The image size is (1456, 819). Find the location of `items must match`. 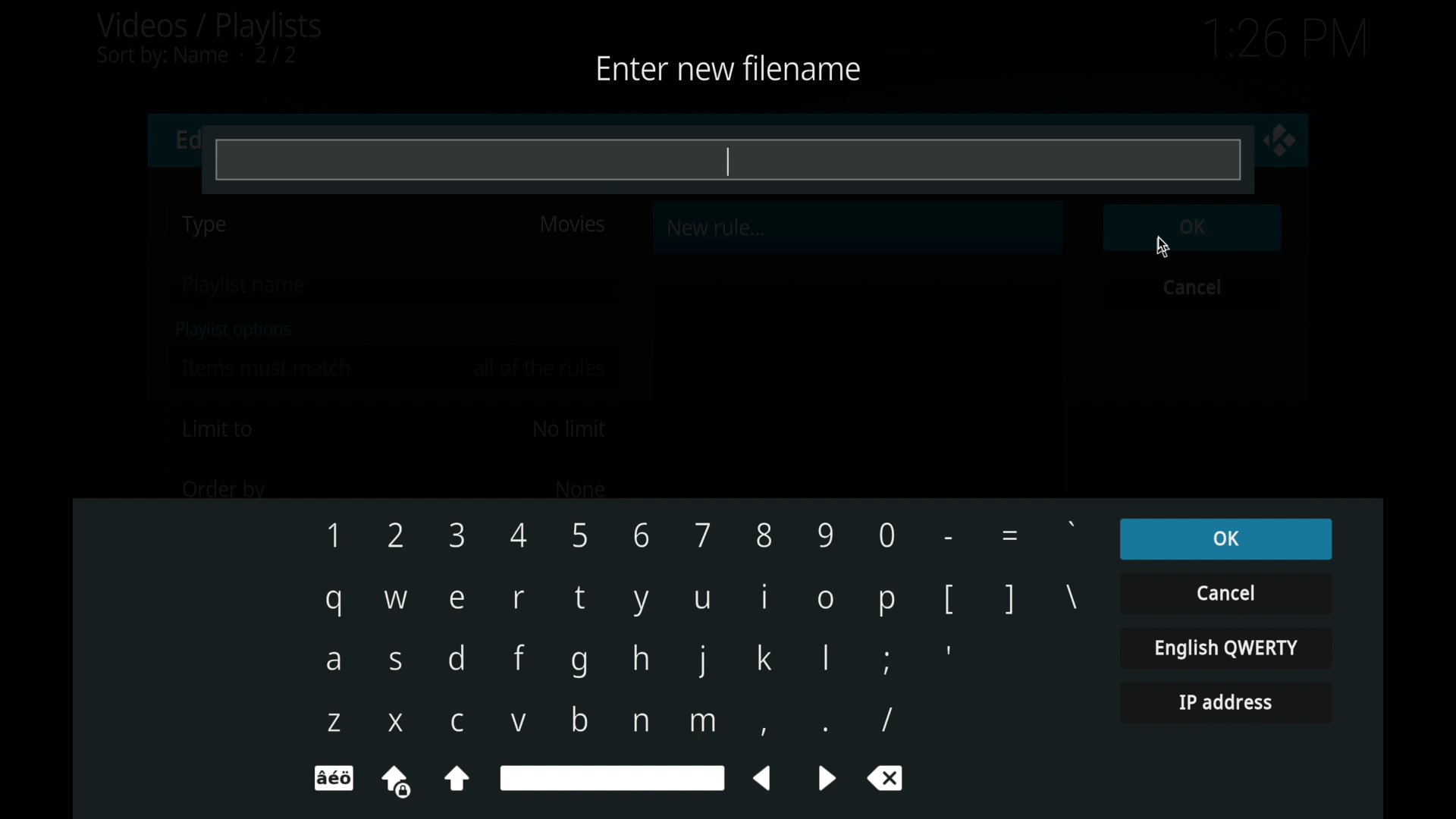

items must match is located at coordinates (268, 368).